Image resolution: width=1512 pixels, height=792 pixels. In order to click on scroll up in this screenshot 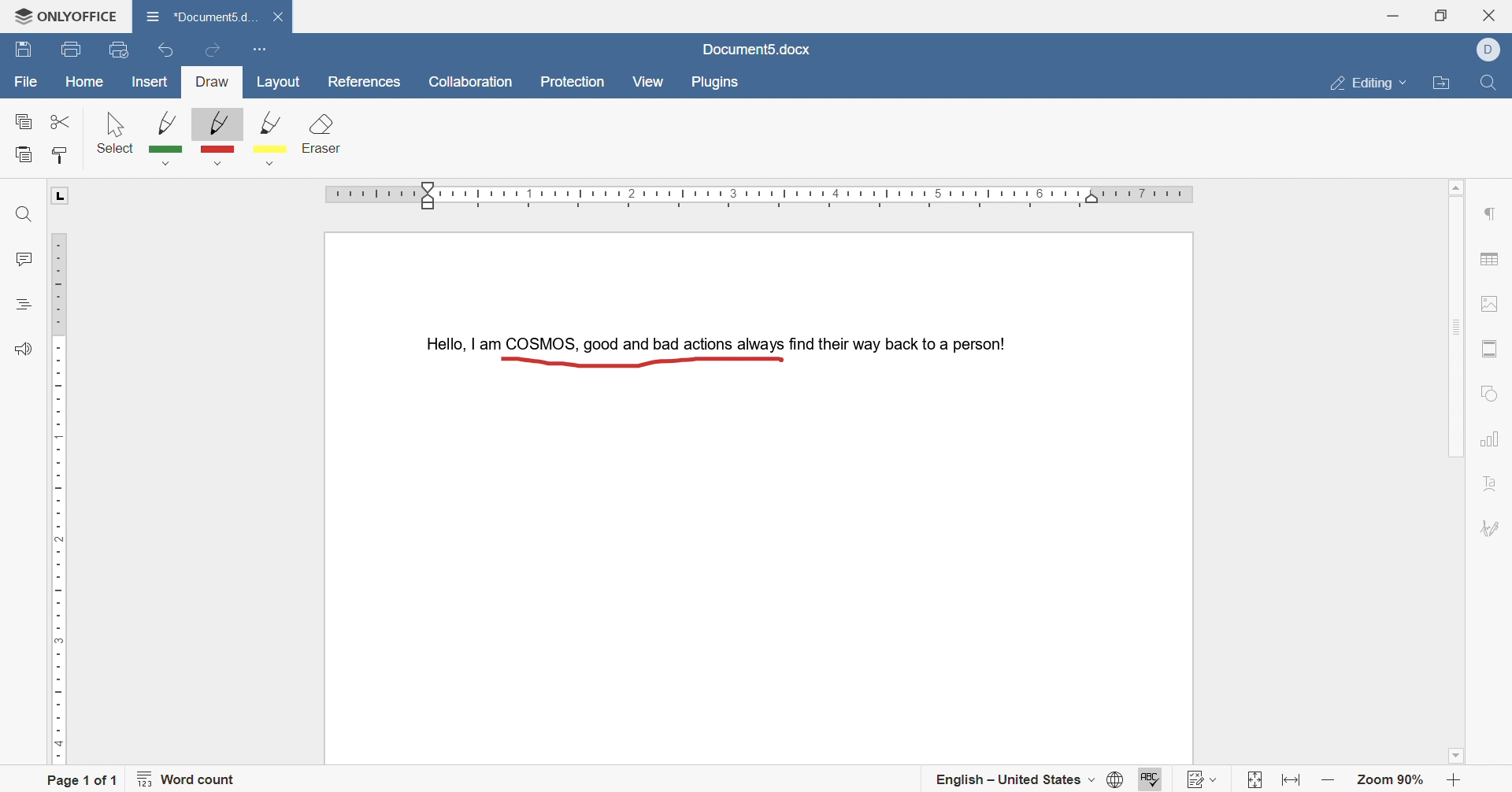, I will do `click(1461, 184)`.